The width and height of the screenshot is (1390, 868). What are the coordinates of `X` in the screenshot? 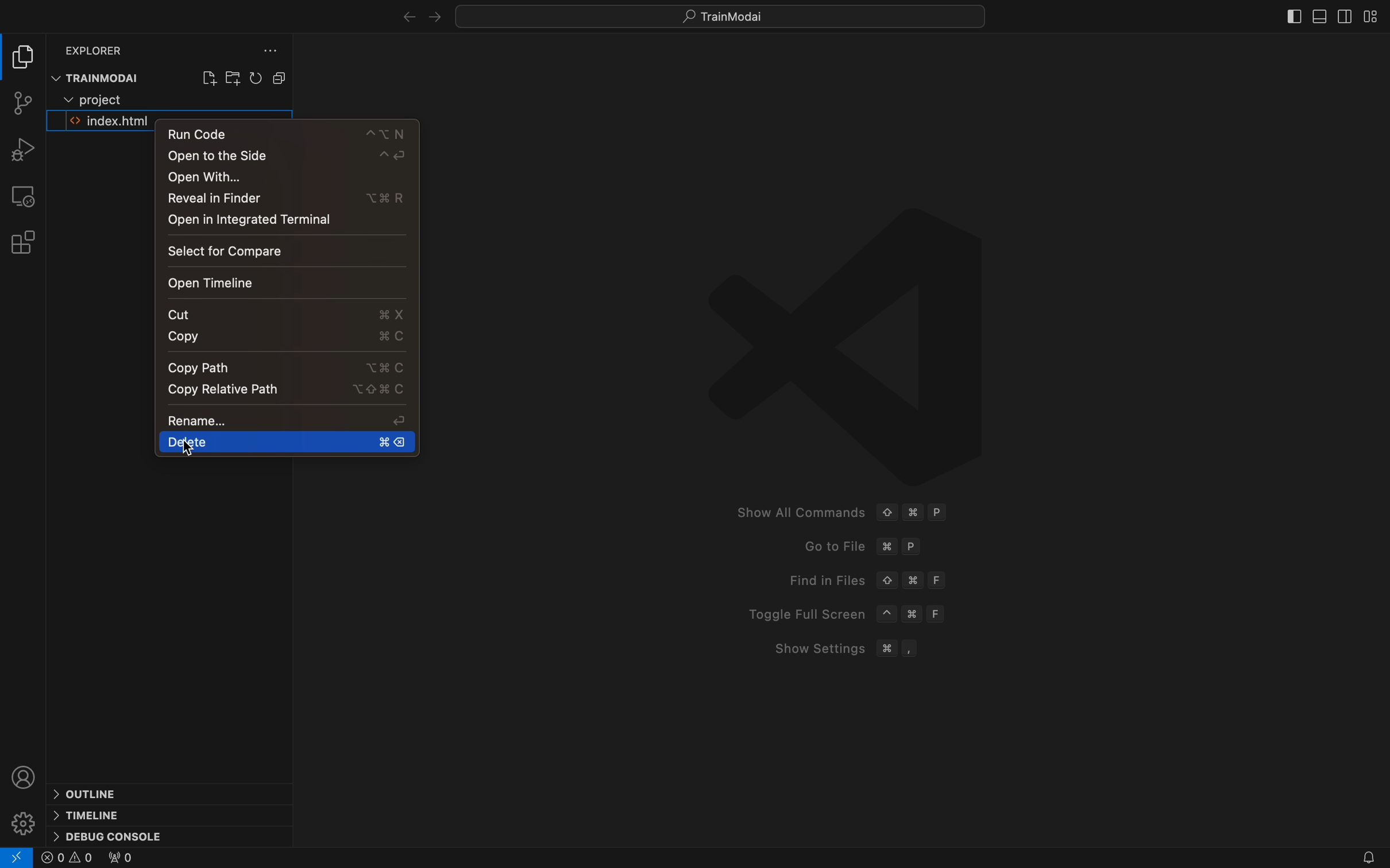 It's located at (389, 315).